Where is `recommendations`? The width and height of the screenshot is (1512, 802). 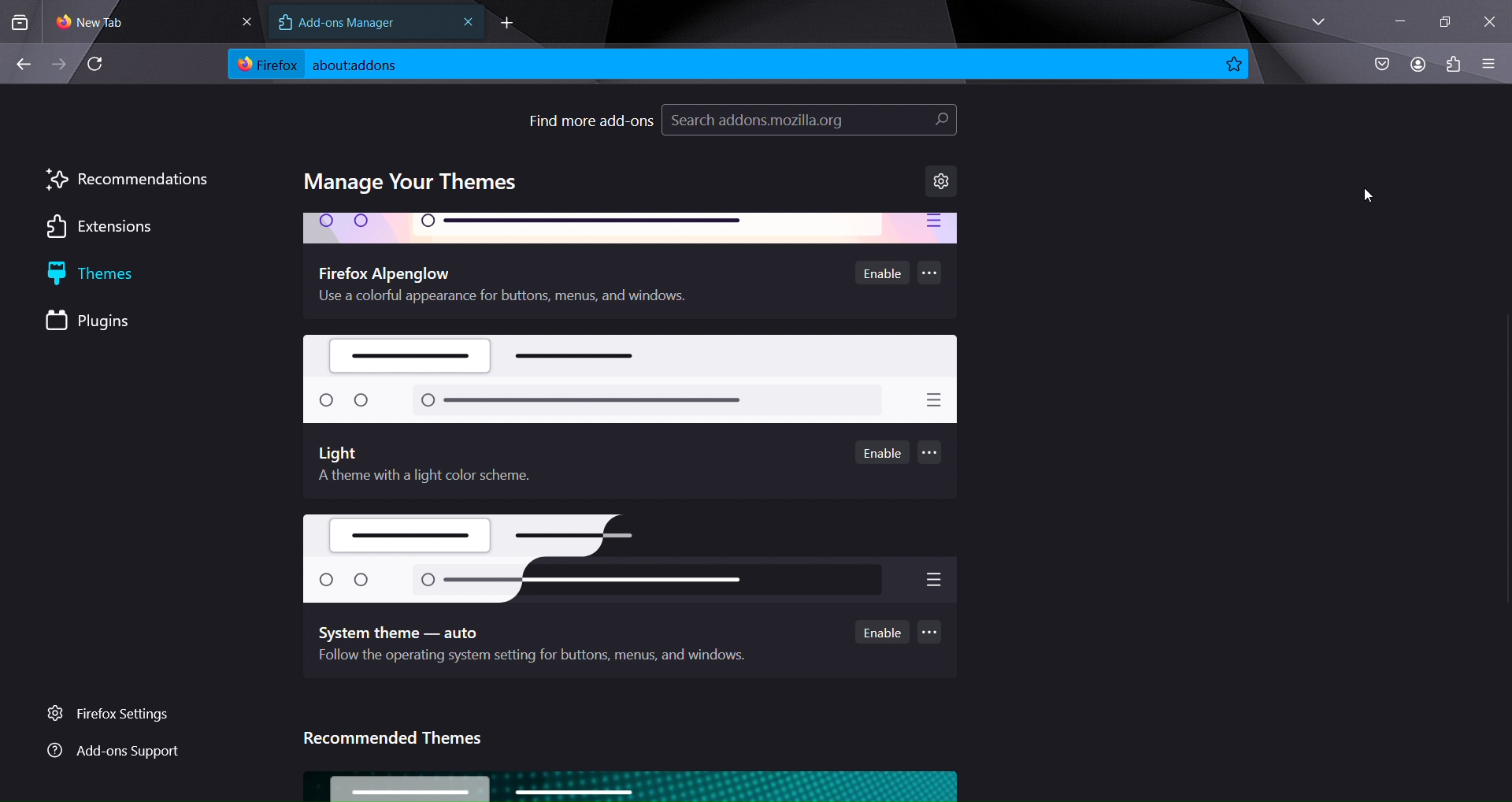
recommendations is located at coordinates (128, 179).